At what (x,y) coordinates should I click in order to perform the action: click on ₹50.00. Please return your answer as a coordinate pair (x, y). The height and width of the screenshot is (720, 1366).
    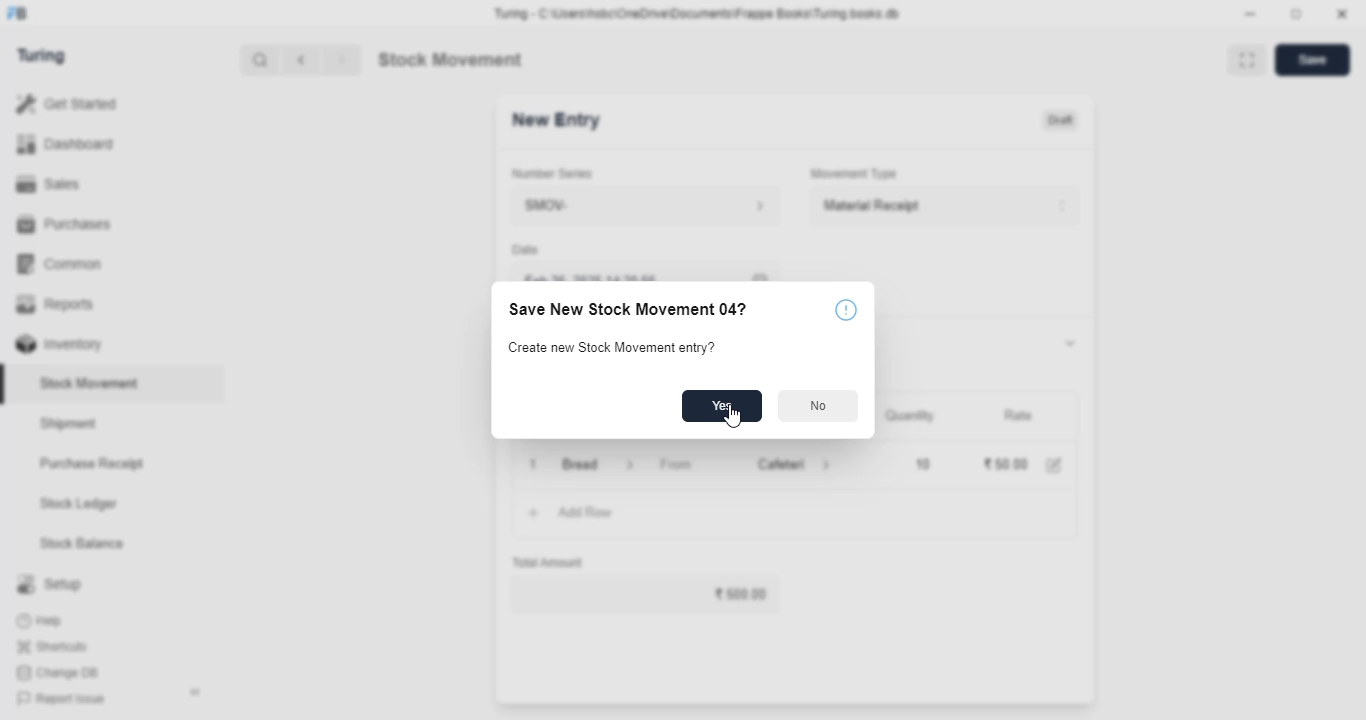
    Looking at the image, I should click on (1007, 464).